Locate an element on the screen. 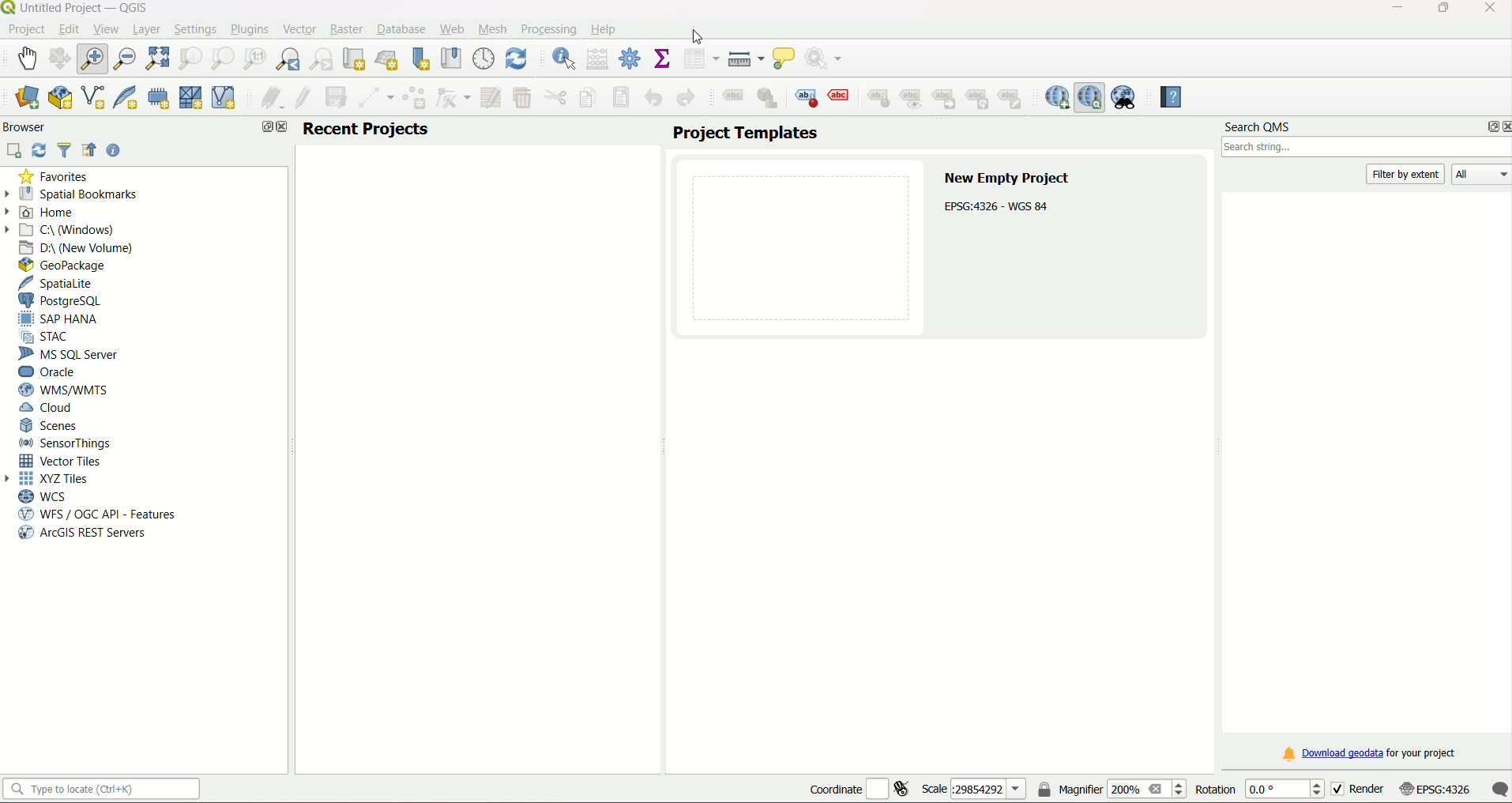 Image resolution: width=1512 pixels, height=803 pixels. move label is located at coordinates (947, 100).